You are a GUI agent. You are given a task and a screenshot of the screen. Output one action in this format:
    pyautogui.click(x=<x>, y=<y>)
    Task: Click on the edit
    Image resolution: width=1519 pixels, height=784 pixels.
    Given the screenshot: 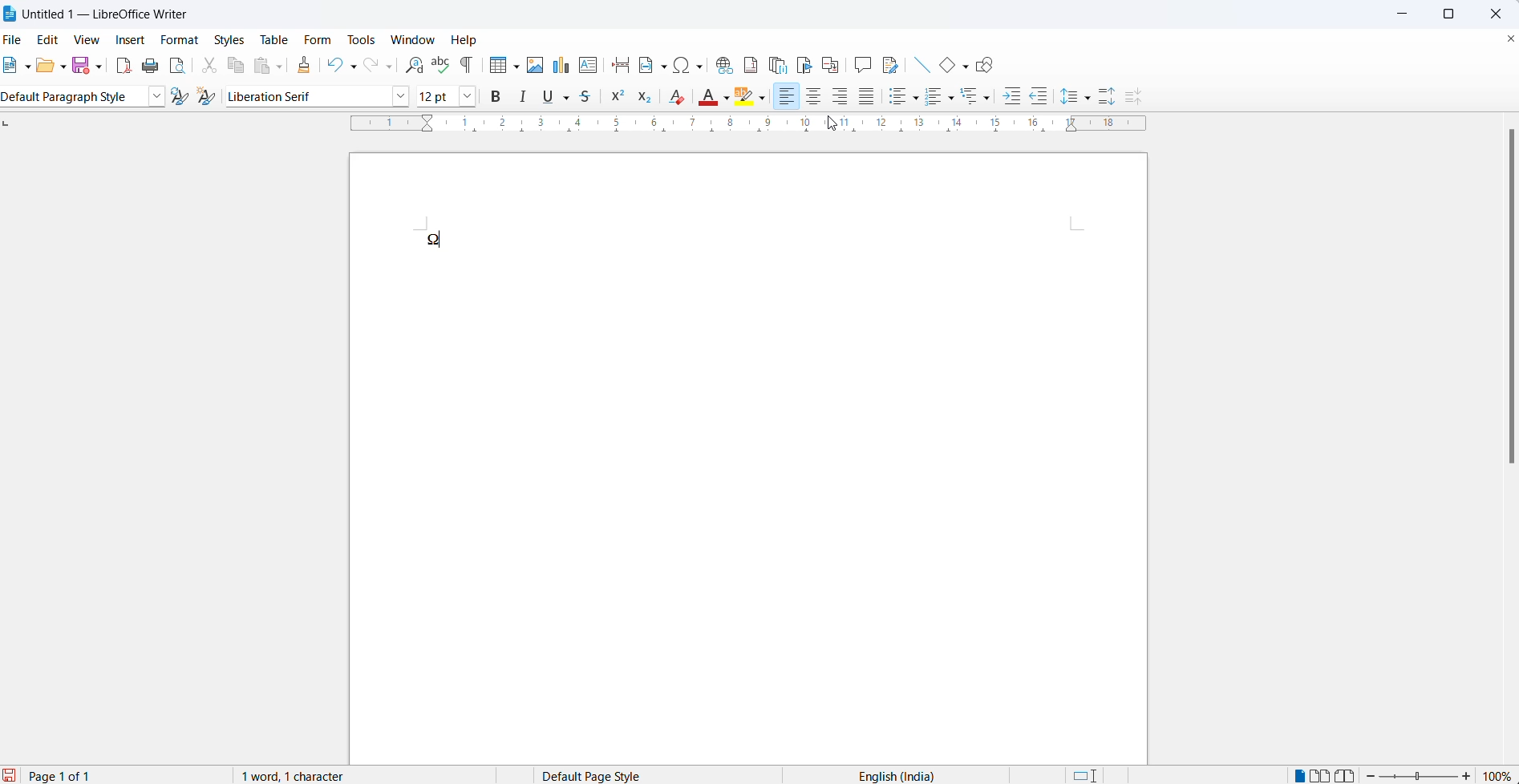 What is the action you would take?
    pyautogui.click(x=52, y=38)
    